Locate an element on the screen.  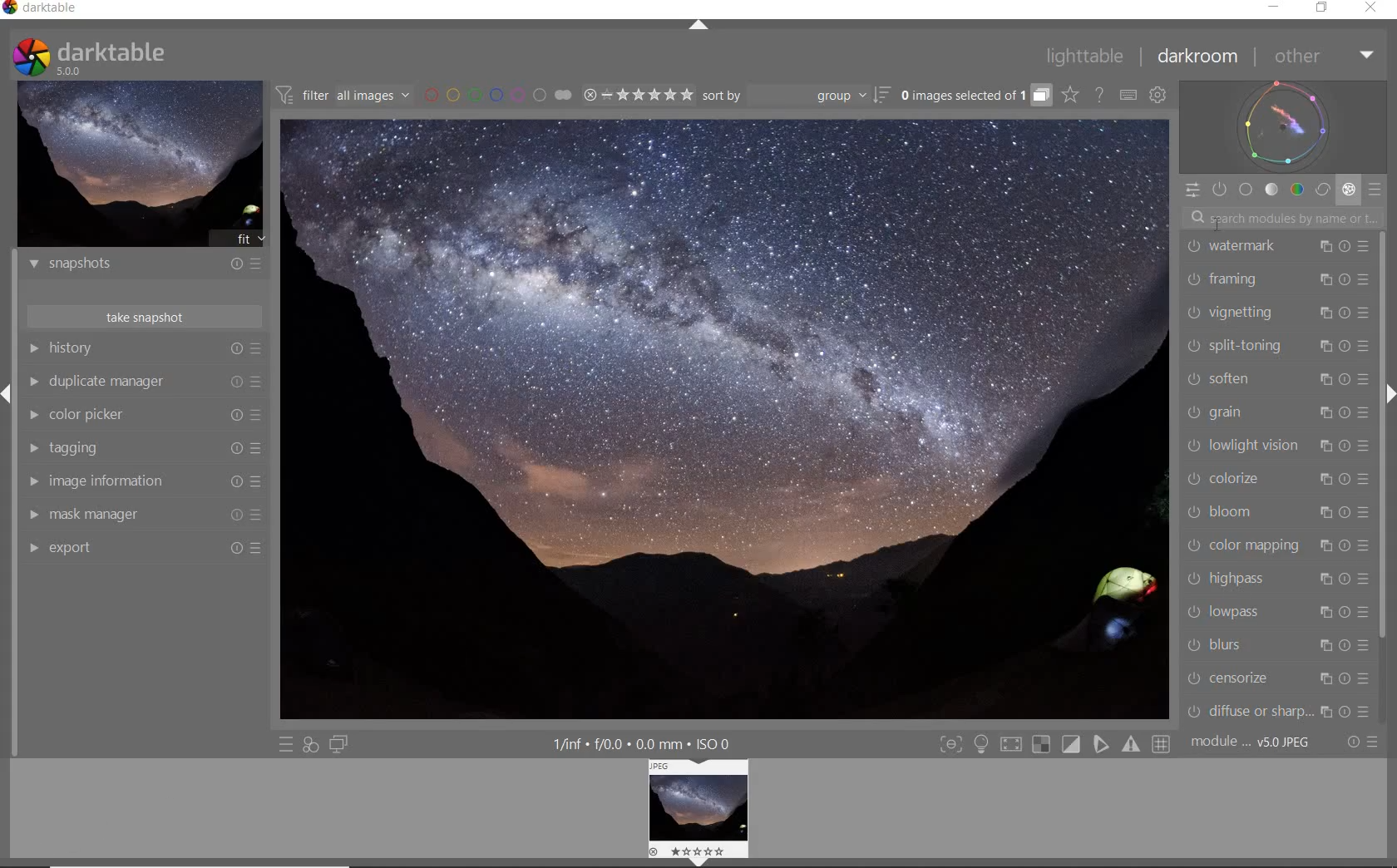
Presets and preferences is located at coordinates (259, 514).